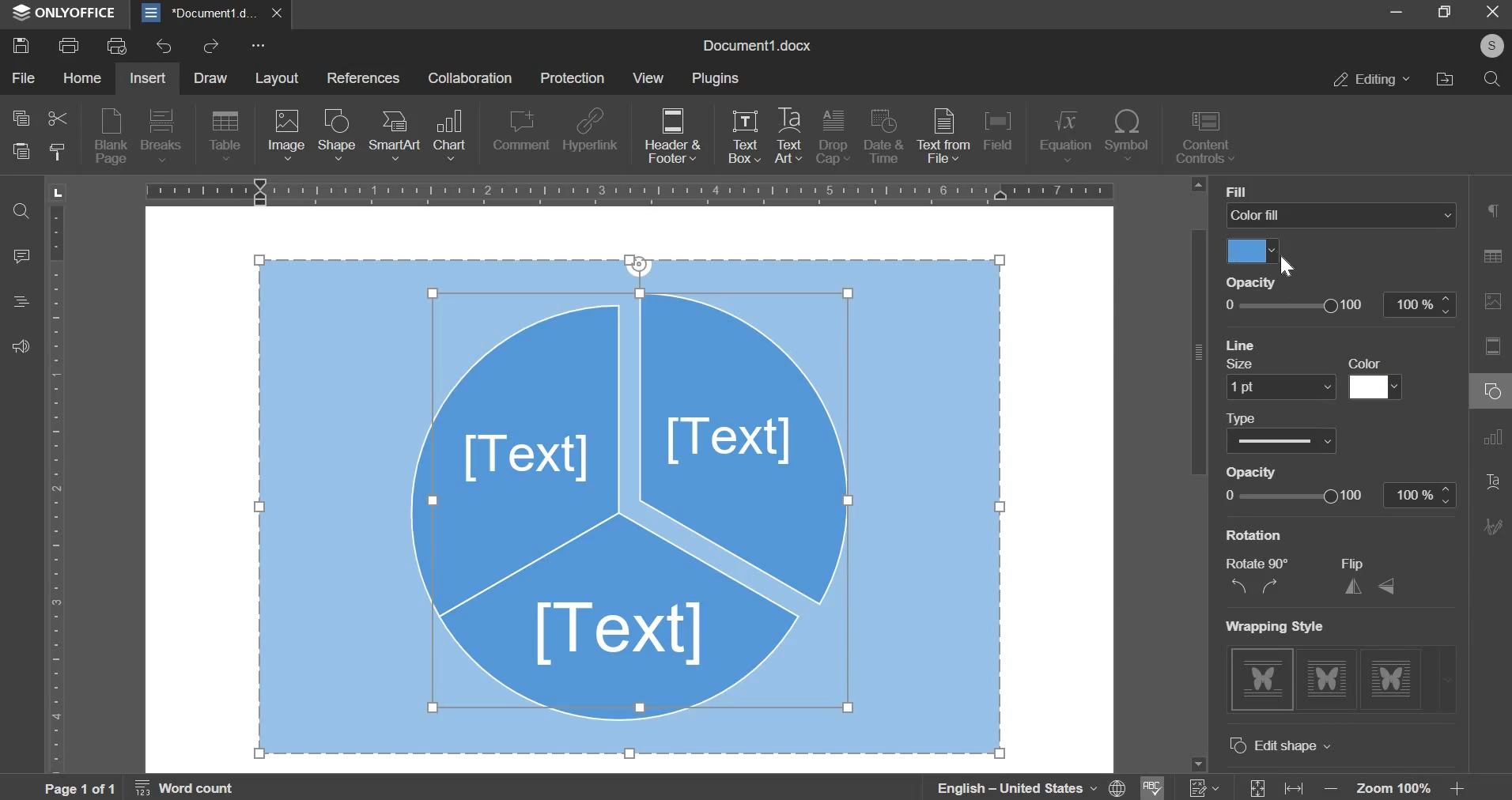 Image resolution: width=1512 pixels, height=800 pixels. I want to click on , so click(1253, 188).